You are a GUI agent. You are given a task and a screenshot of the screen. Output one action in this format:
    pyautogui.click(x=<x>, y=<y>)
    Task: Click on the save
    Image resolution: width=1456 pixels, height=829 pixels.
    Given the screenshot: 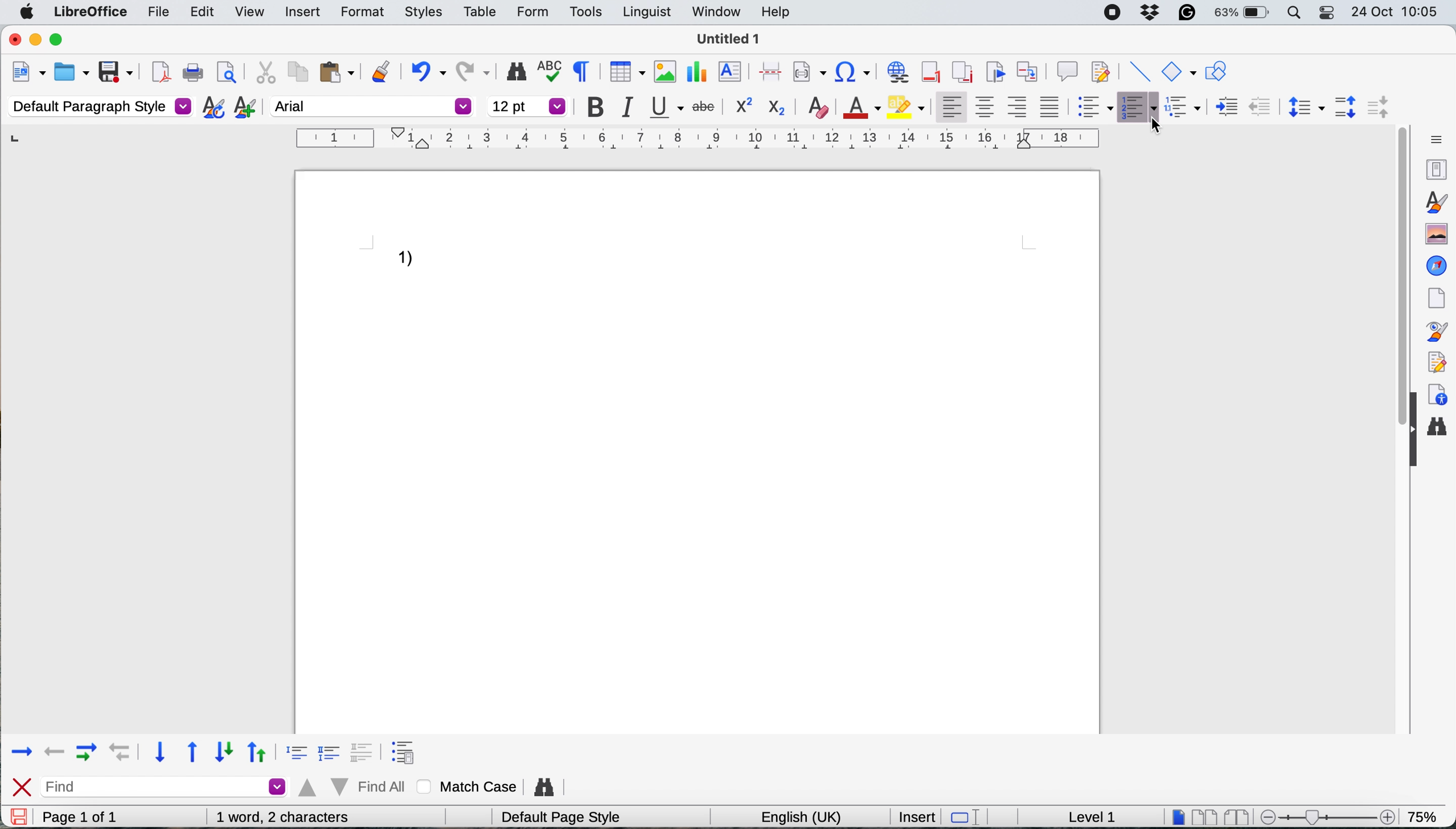 What is the action you would take?
    pyautogui.click(x=18, y=816)
    